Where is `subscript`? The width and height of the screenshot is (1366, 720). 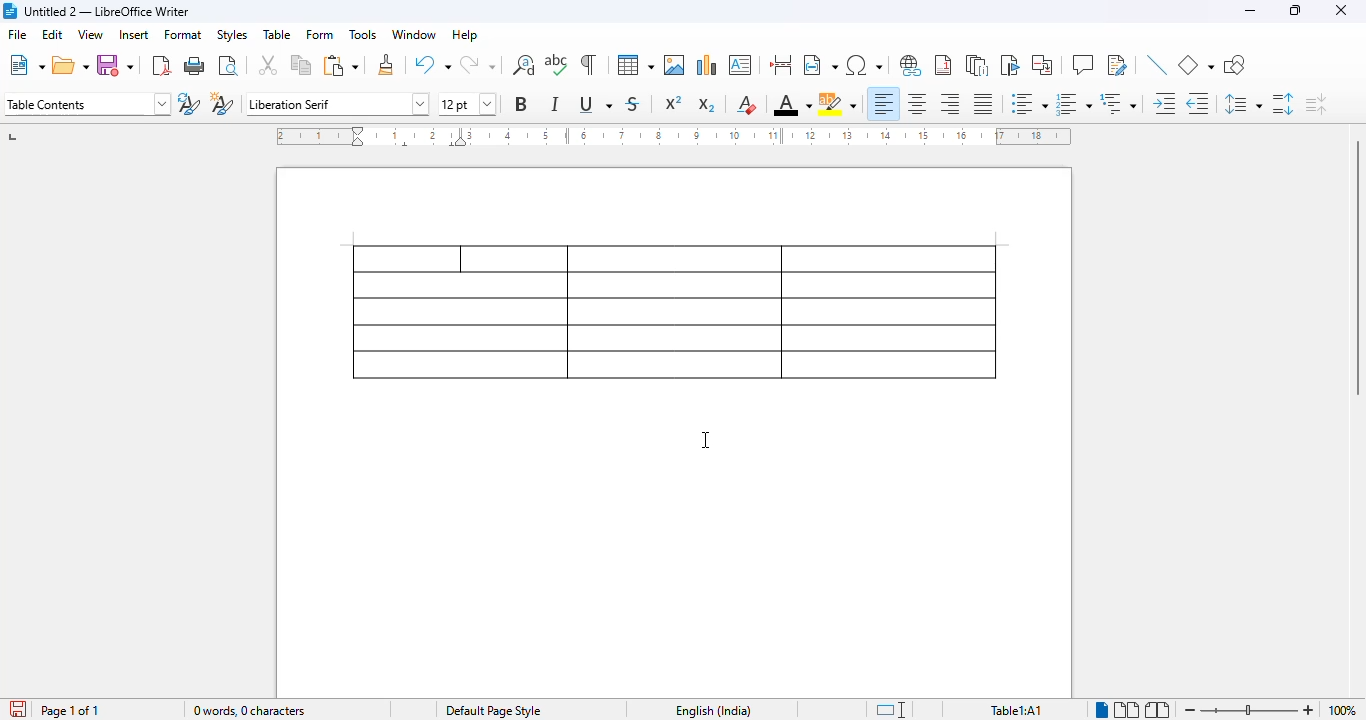
subscript is located at coordinates (705, 105).